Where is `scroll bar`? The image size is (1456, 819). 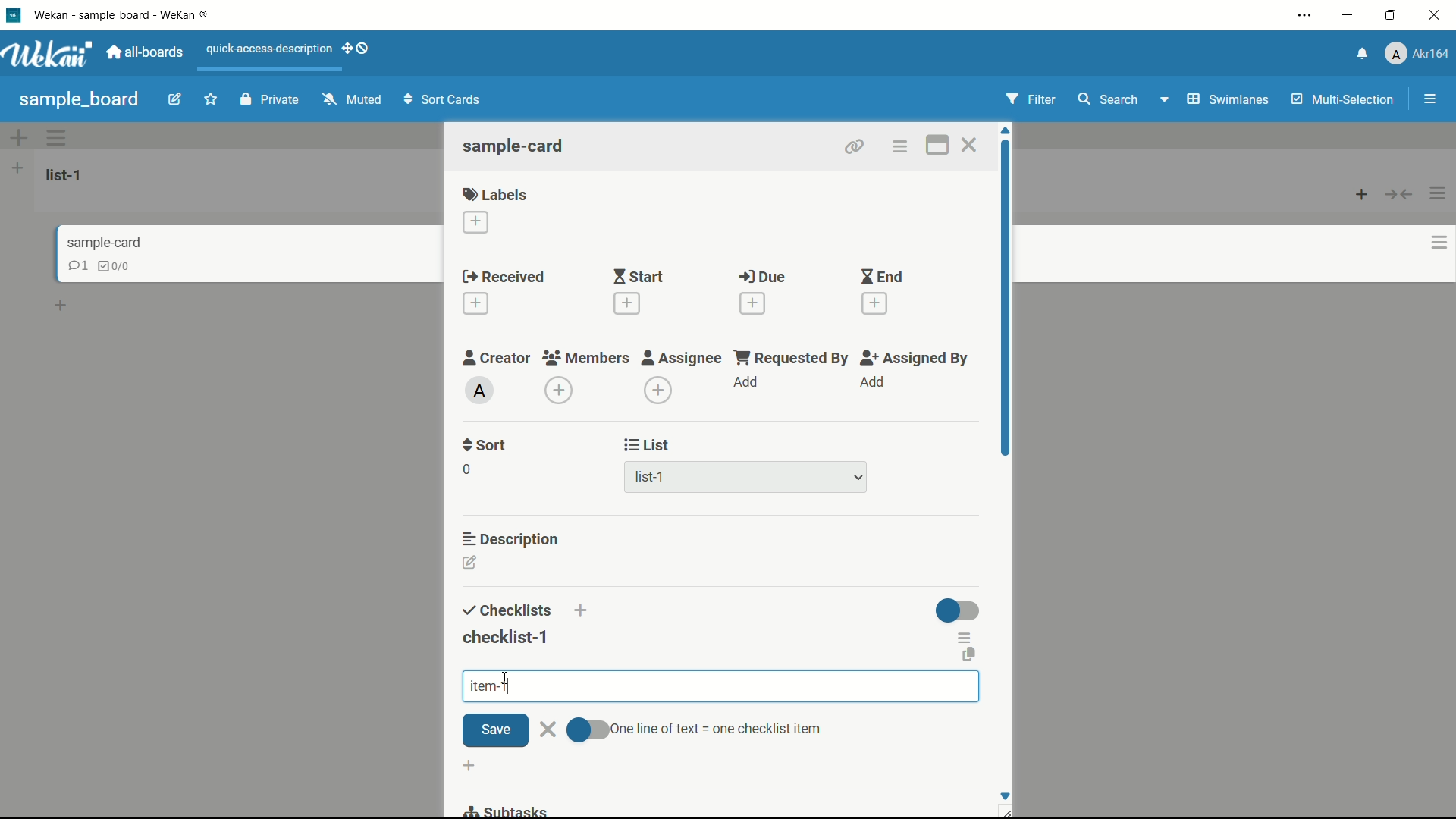
scroll bar is located at coordinates (1007, 316).